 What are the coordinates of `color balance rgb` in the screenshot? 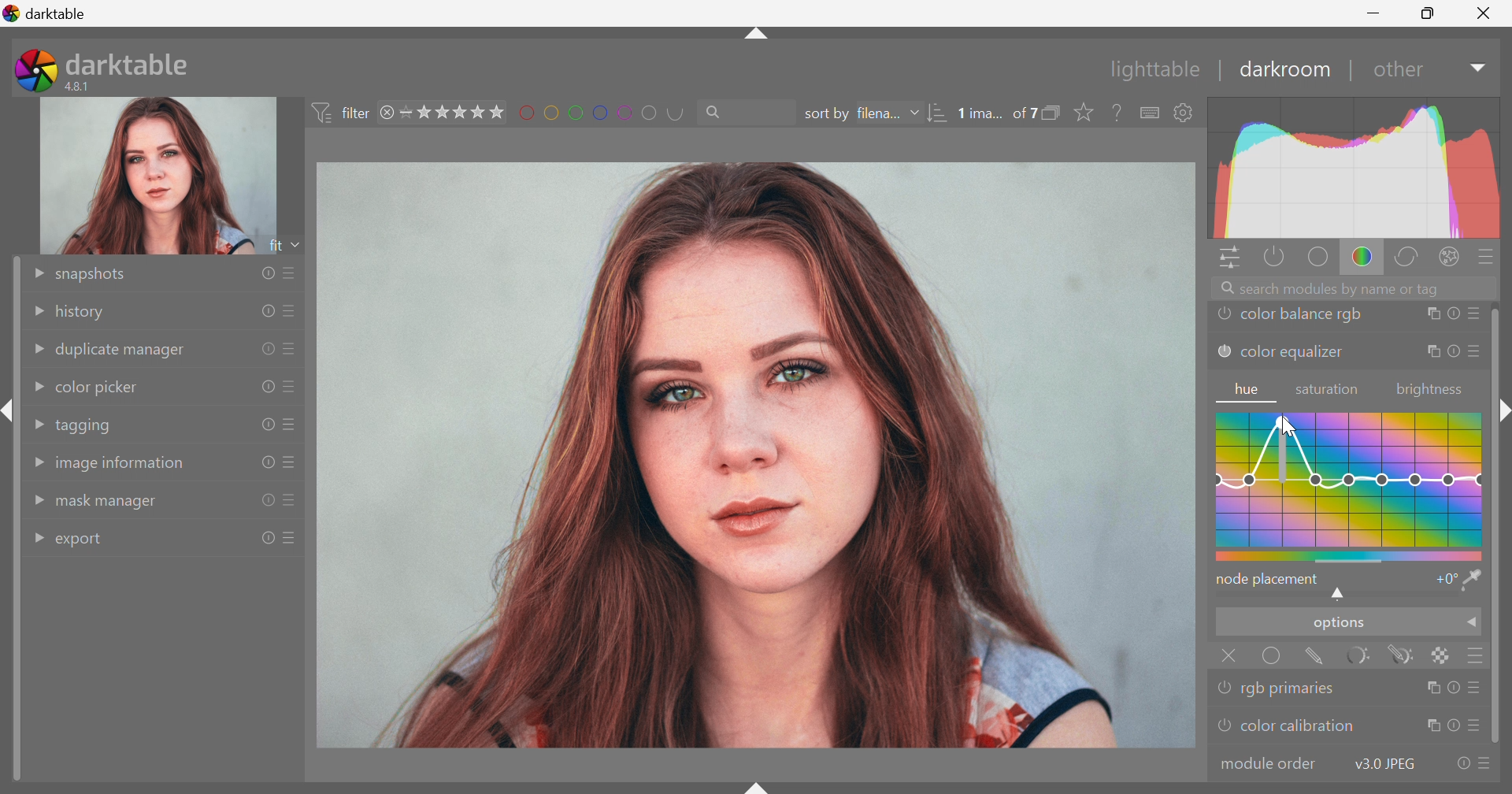 It's located at (1303, 315).